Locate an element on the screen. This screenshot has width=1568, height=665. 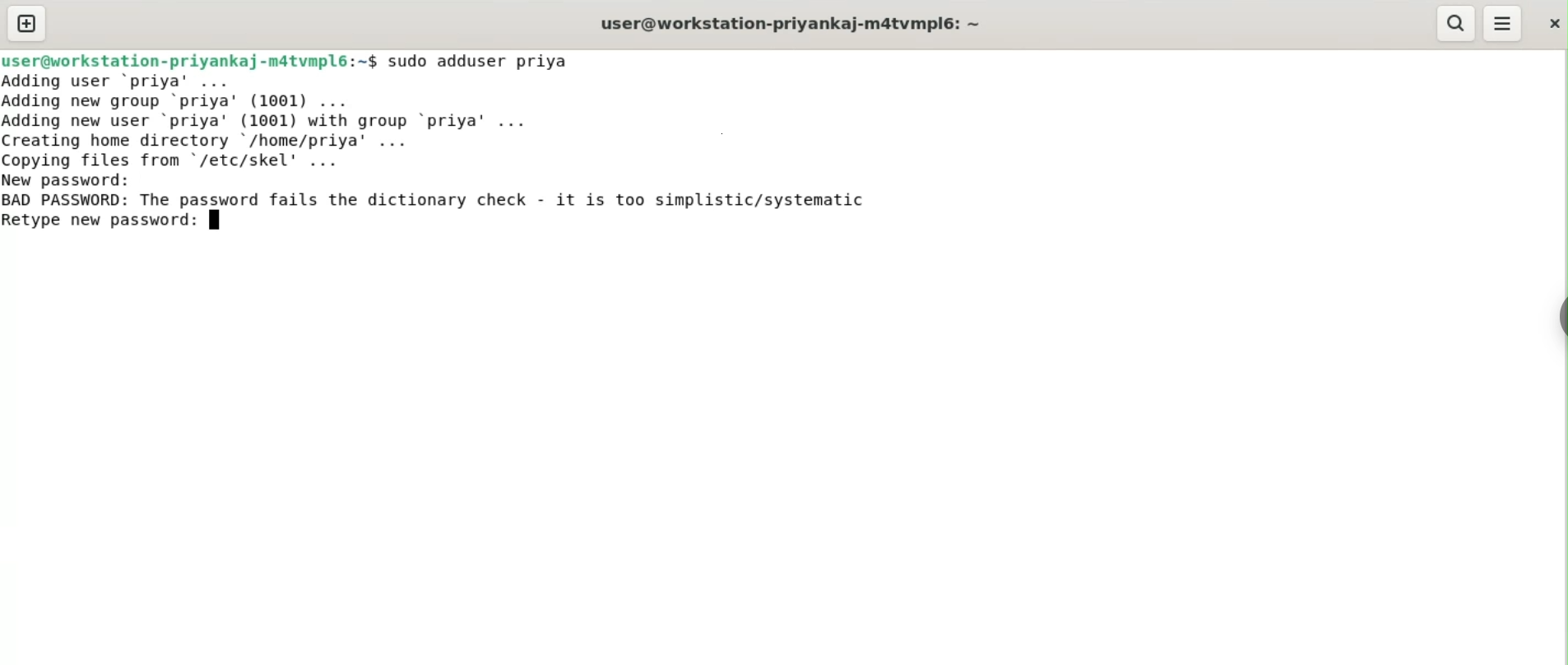
user@workstation-priyankaj-m4tvmpl6:~ is located at coordinates (787, 23).